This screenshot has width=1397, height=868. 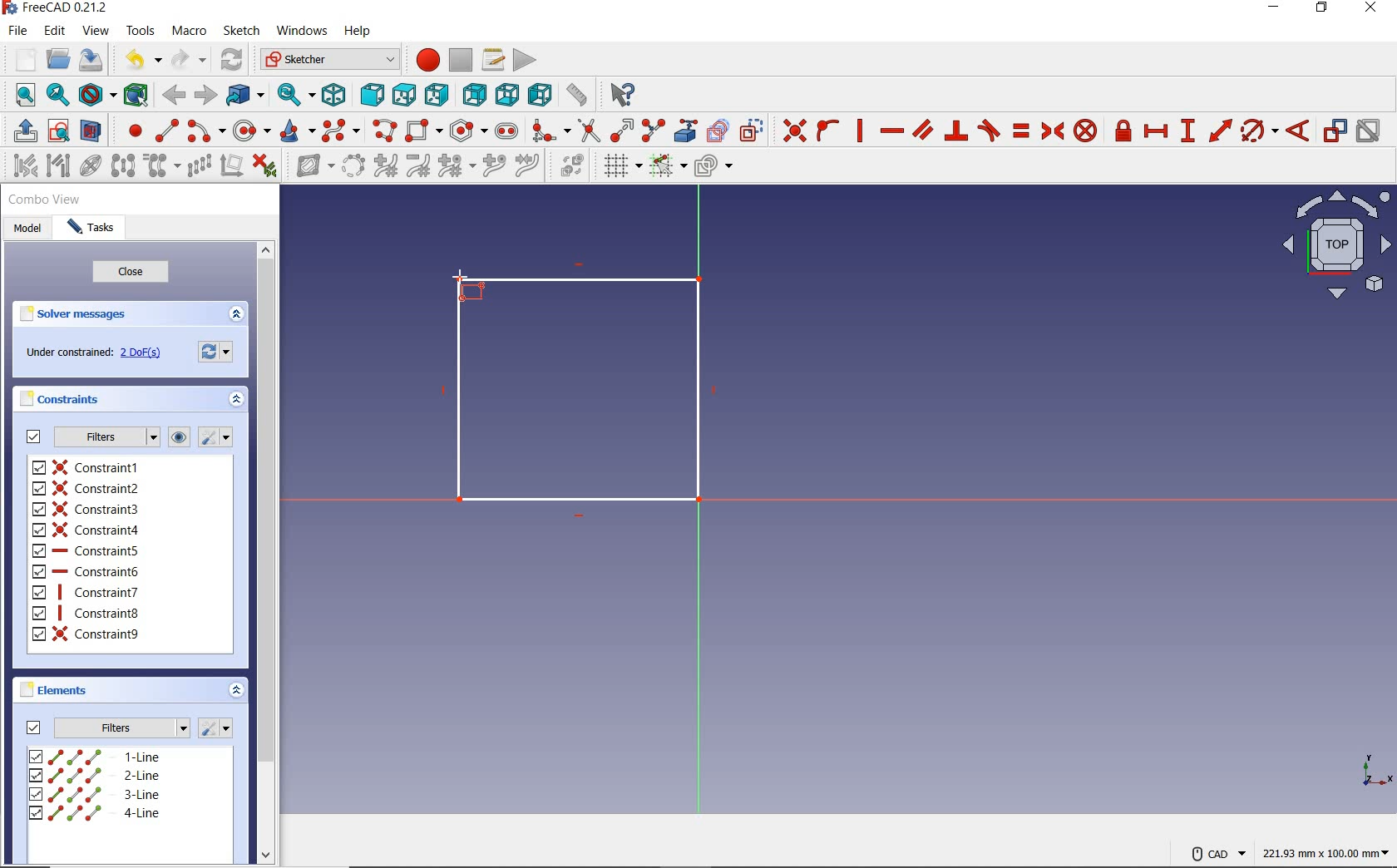 I want to click on constrain vertically, so click(x=861, y=133).